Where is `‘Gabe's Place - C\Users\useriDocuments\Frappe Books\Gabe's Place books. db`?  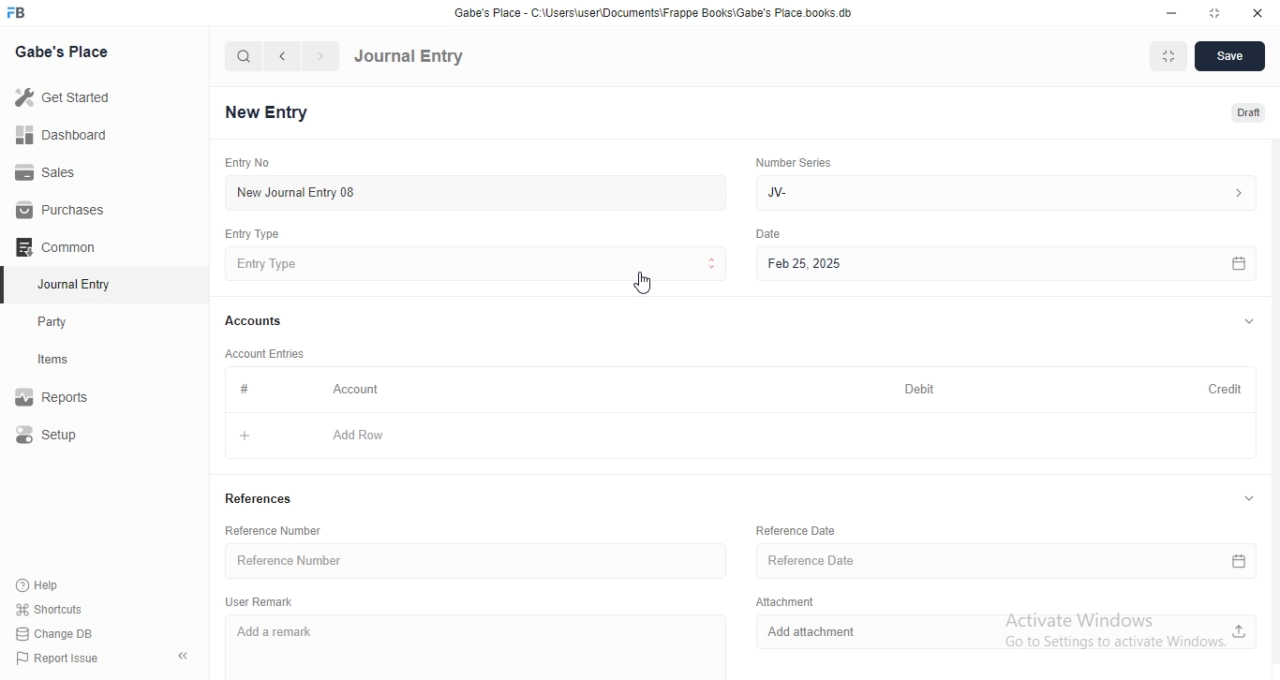 ‘Gabe's Place - C\Users\useriDocuments\Frappe Books\Gabe's Place books. db is located at coordinates (650, 10).